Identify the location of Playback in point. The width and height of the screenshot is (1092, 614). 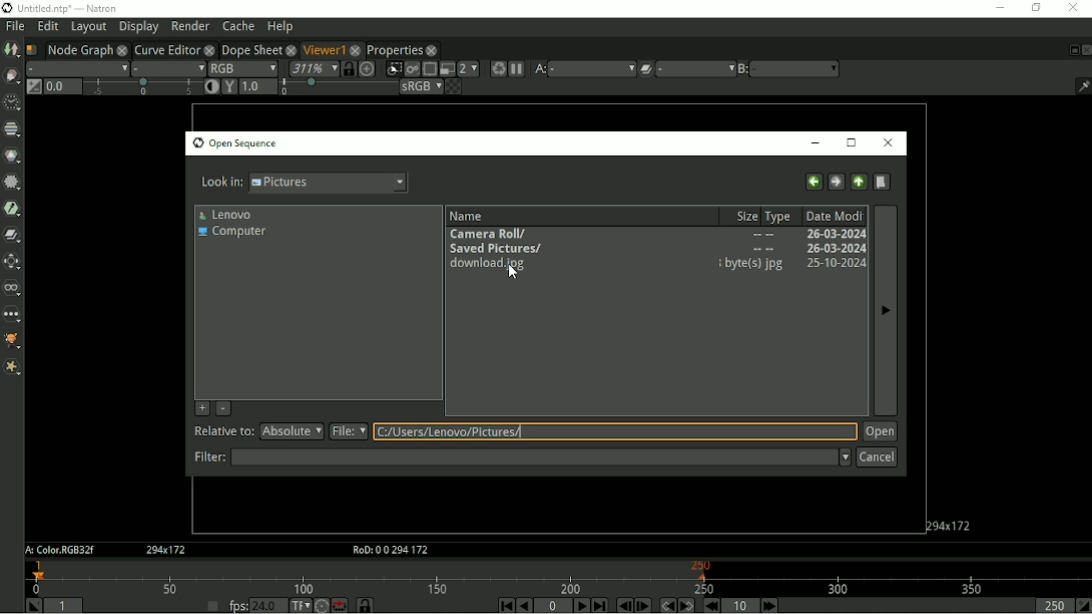
(66, 605).